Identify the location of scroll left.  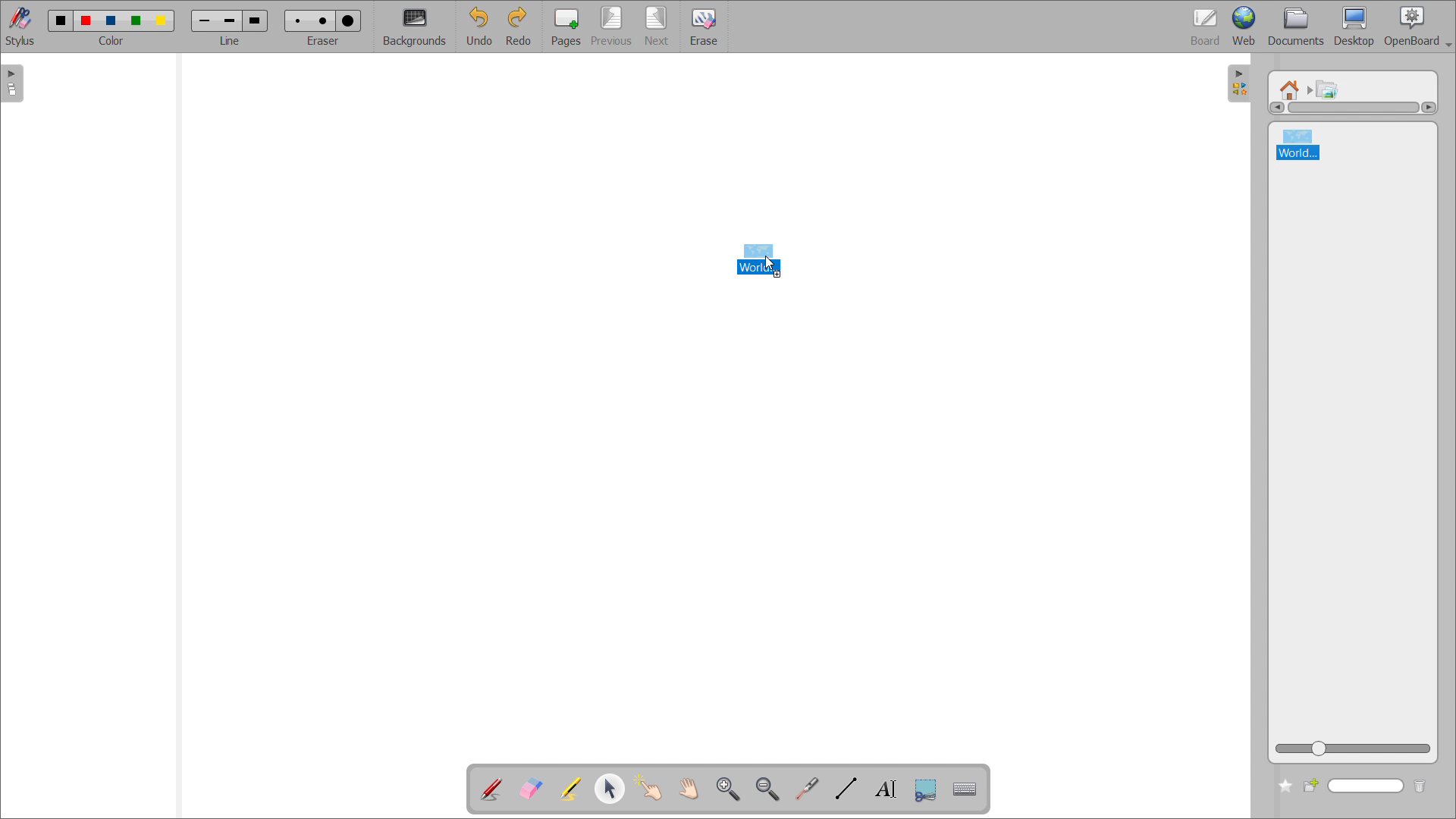
(1276, 107).